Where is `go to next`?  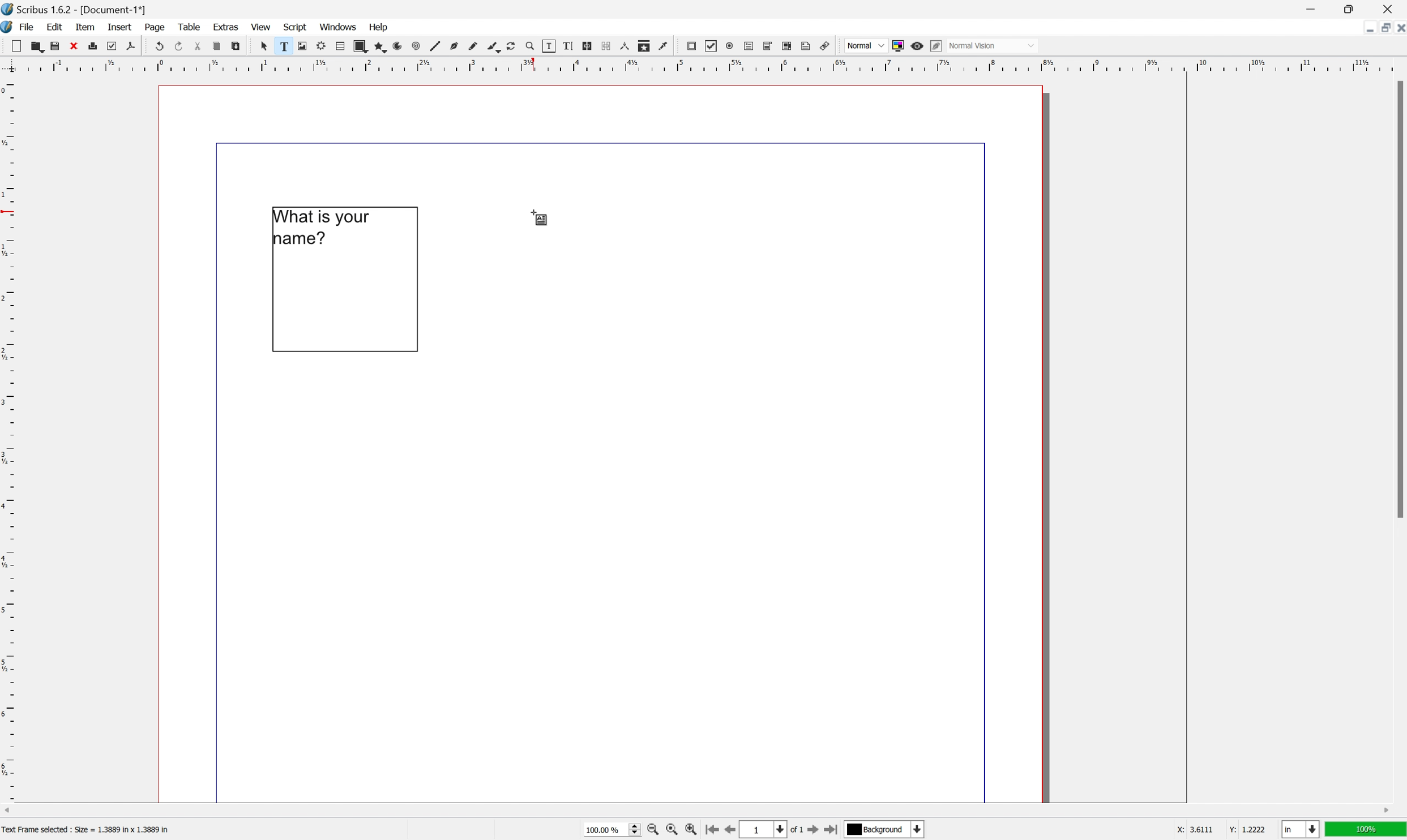 go to next is located at coordinates (819, 832).